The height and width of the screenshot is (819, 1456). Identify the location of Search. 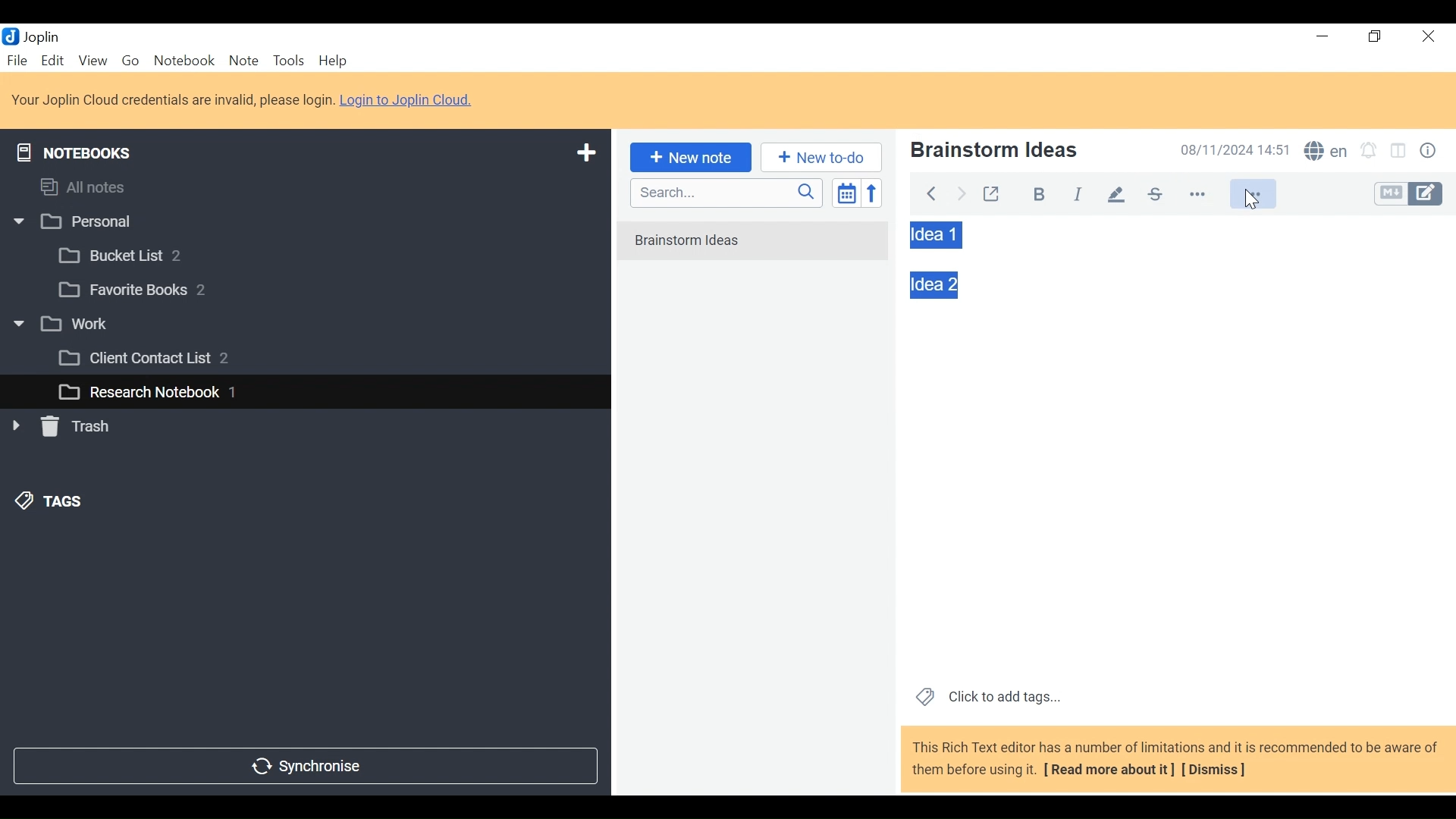
(724, 193).